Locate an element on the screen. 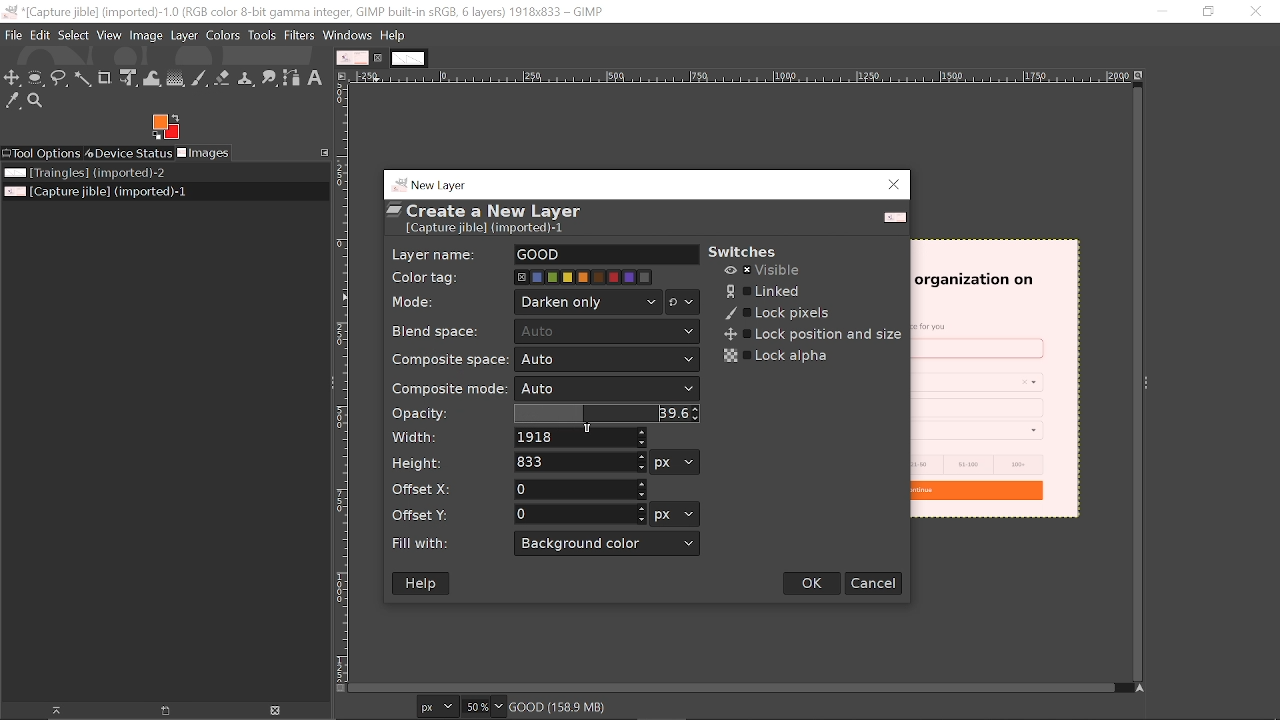  Filters is located at coordinates (300, 35).